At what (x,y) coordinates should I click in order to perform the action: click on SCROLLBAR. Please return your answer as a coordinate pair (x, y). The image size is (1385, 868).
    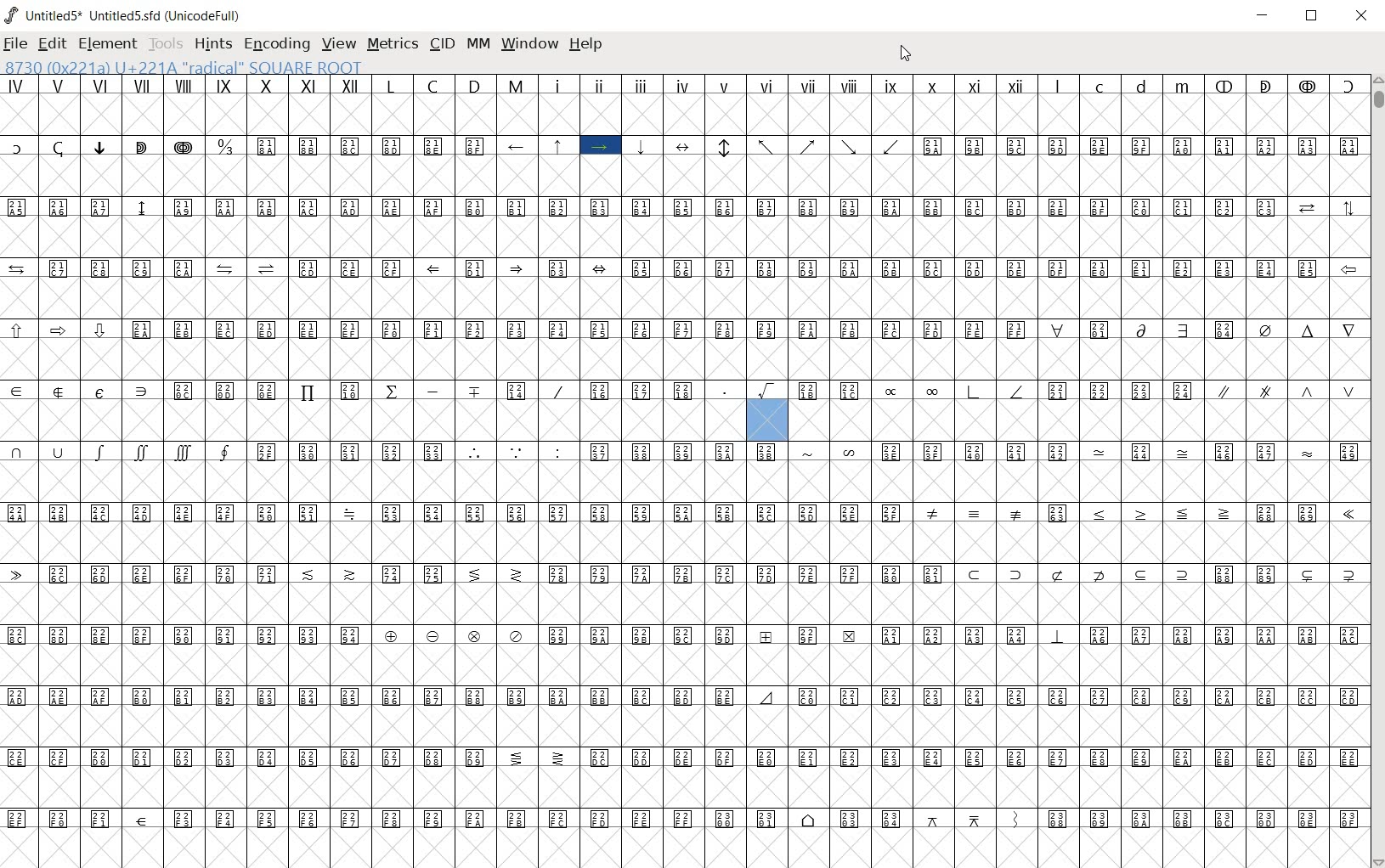
    Looking at the image, I should click on (1377, 471).